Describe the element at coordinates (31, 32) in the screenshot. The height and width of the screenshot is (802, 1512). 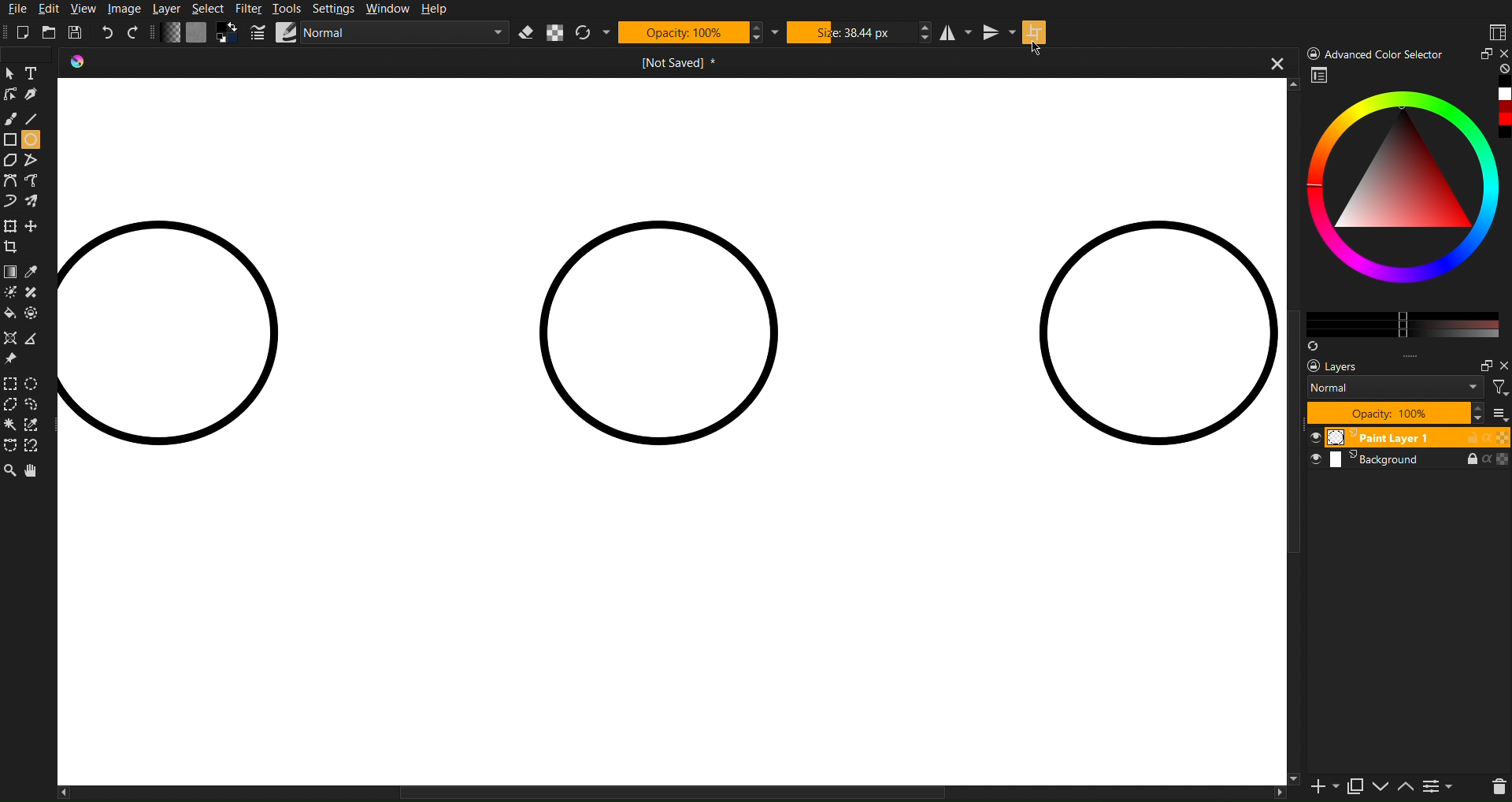
I see `New` at that location.